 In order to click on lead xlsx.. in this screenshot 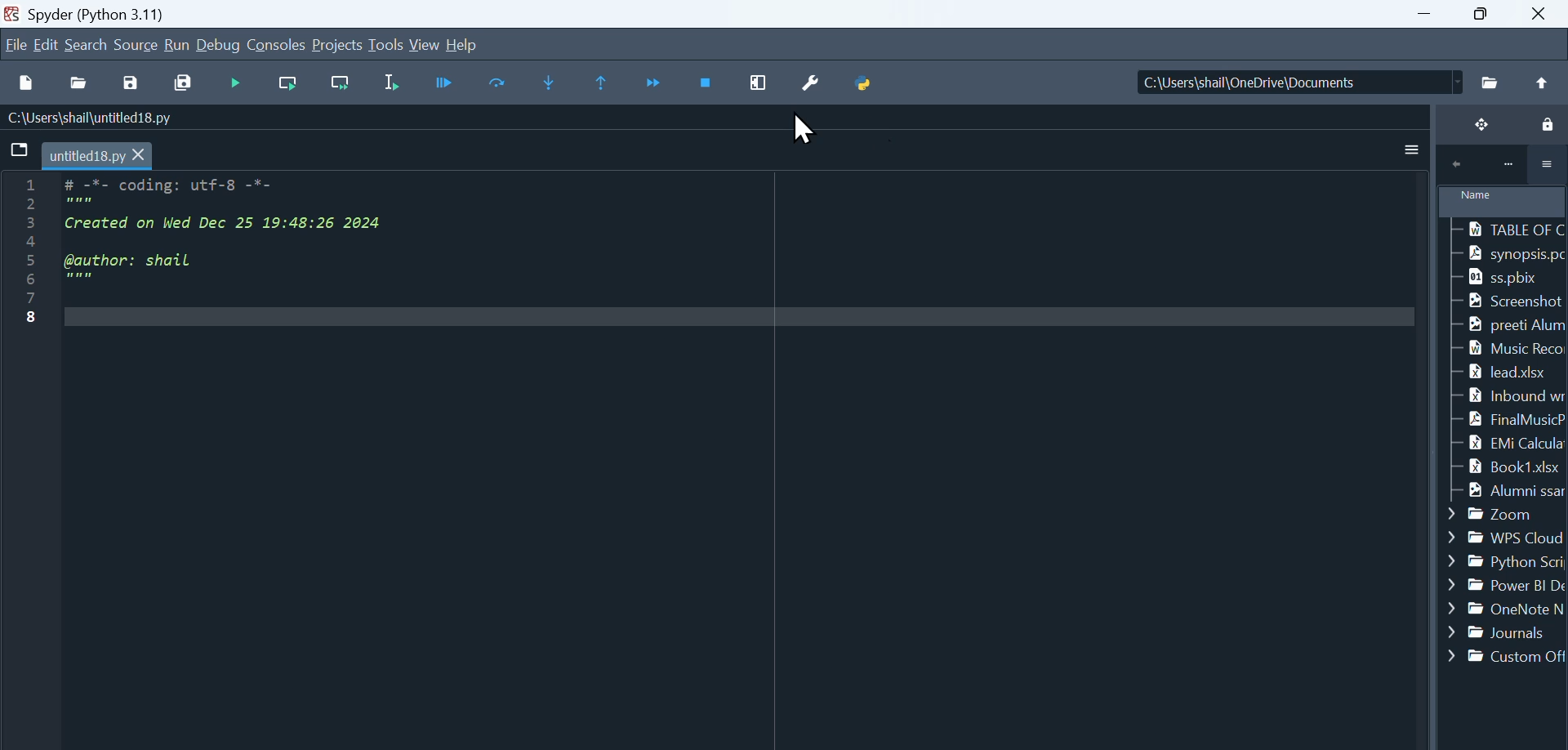, I will do `click(1509, 373)`.